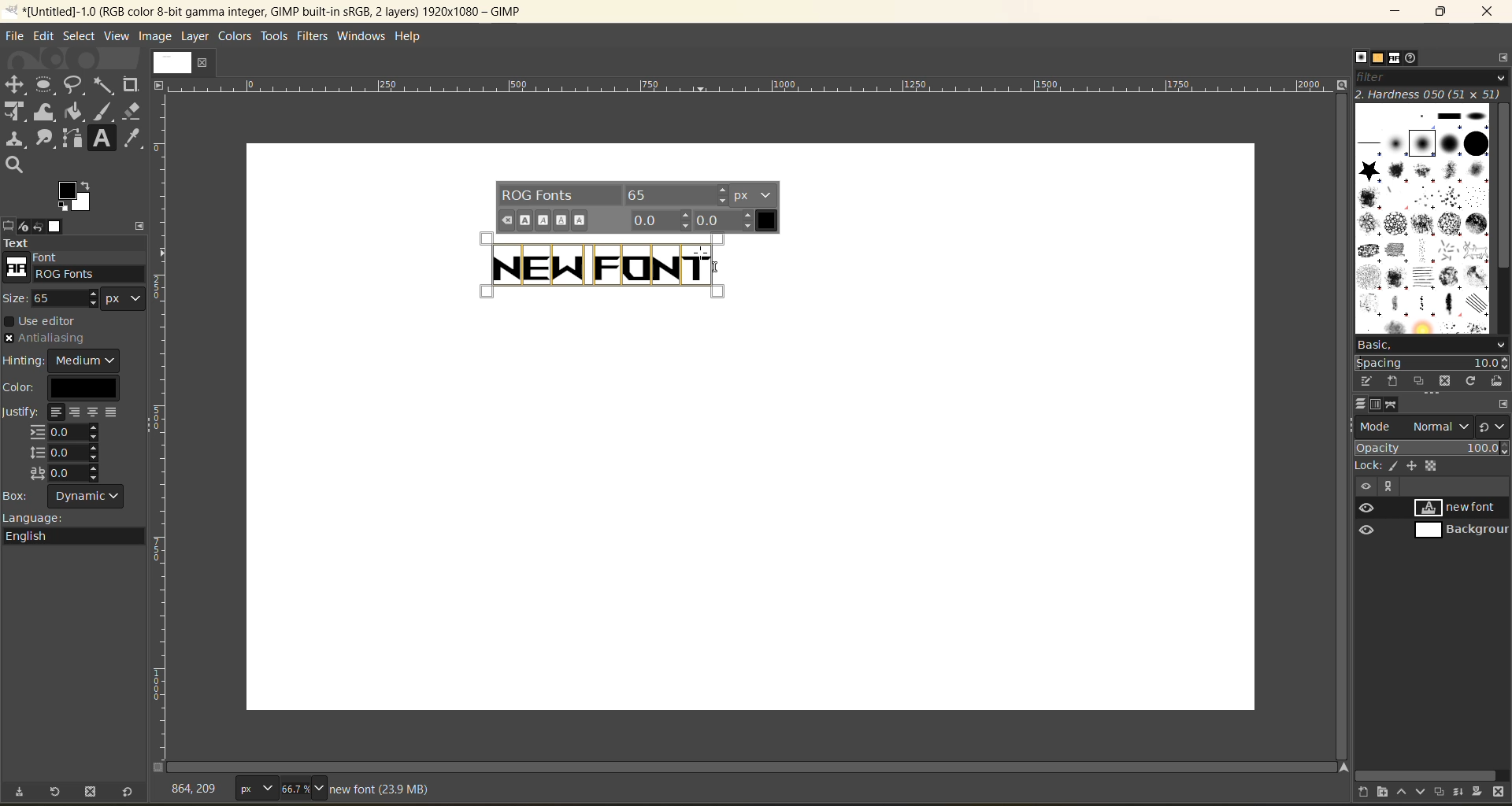 The image size is (1512, 806). Describe the element at coordinates (360, 38) in the screenshot. I see `windows` at that location.